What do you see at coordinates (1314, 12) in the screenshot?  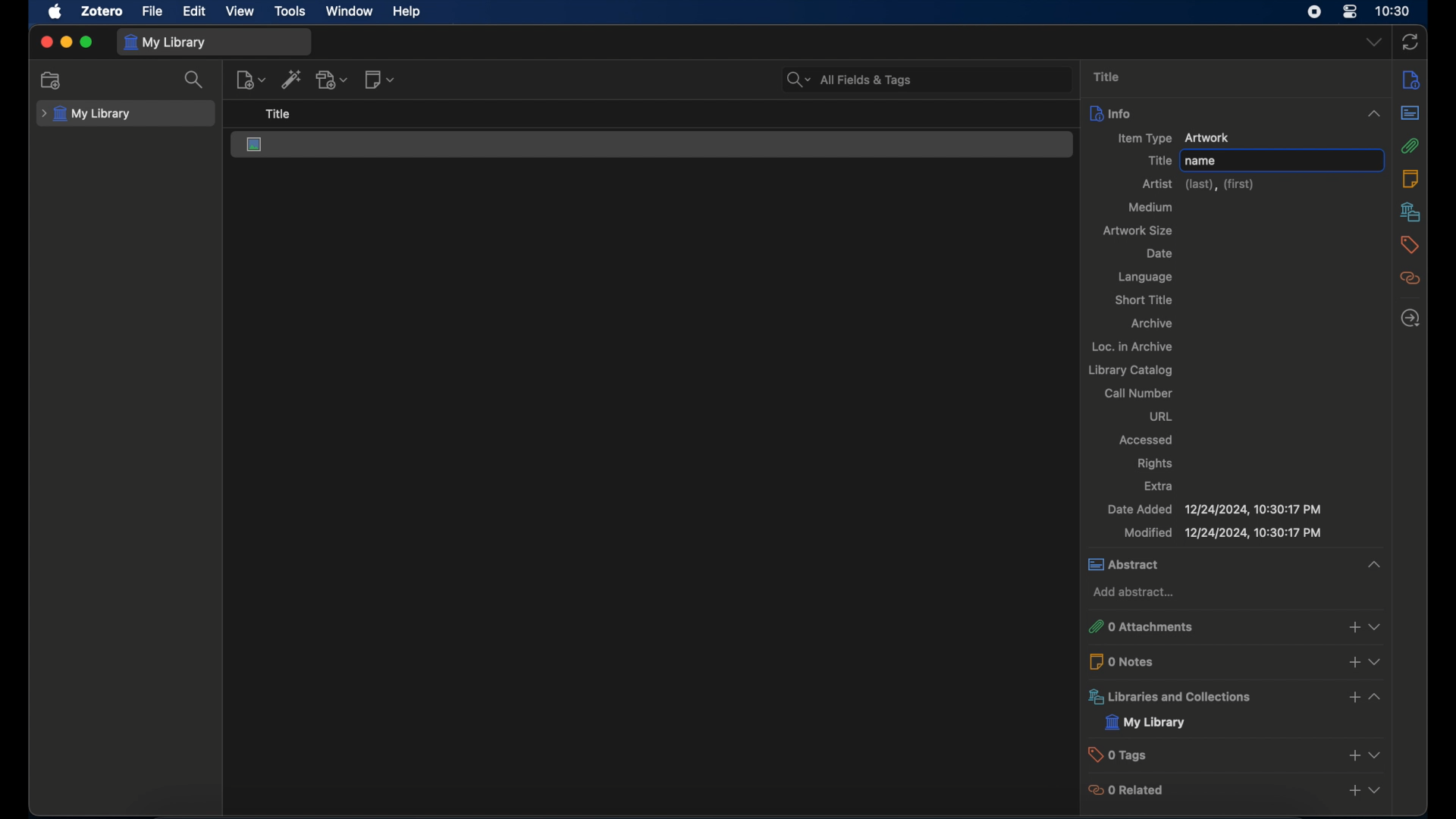 I see `screen recorder` at bounding box center [1314, 12].